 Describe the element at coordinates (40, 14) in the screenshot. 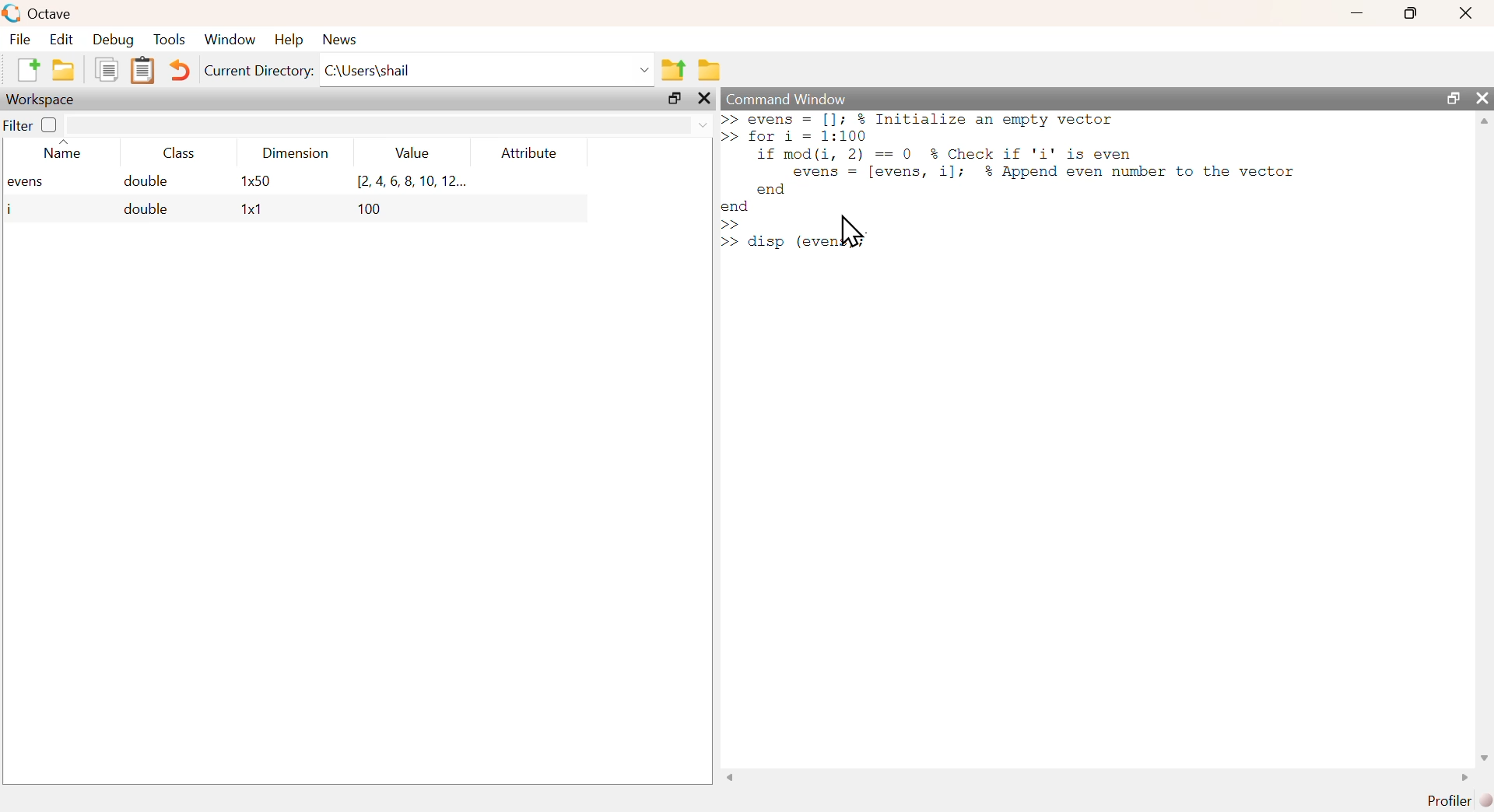

I see `octave` at that location.